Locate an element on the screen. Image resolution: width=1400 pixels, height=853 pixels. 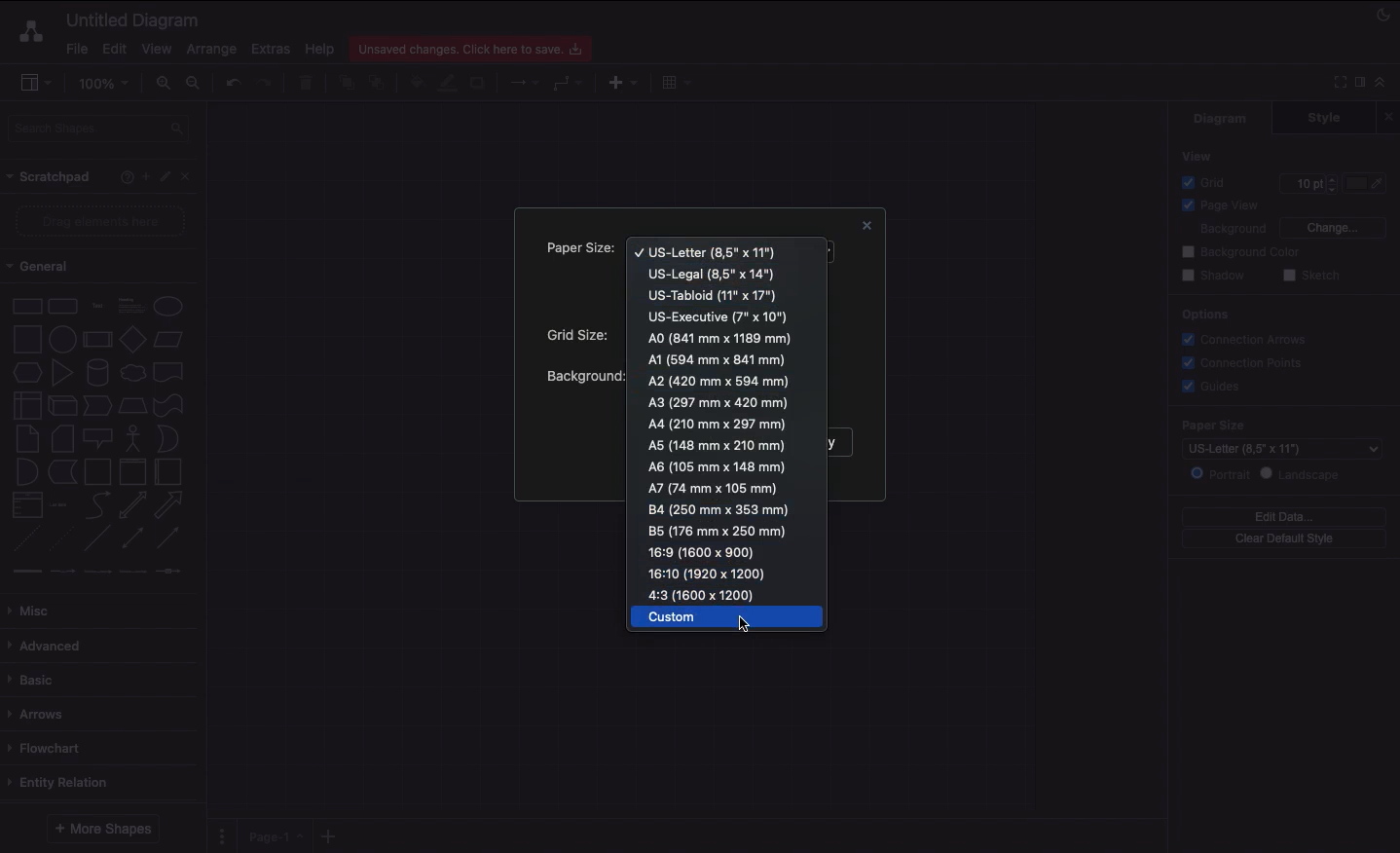
Process is located at coordinates (95, 341).